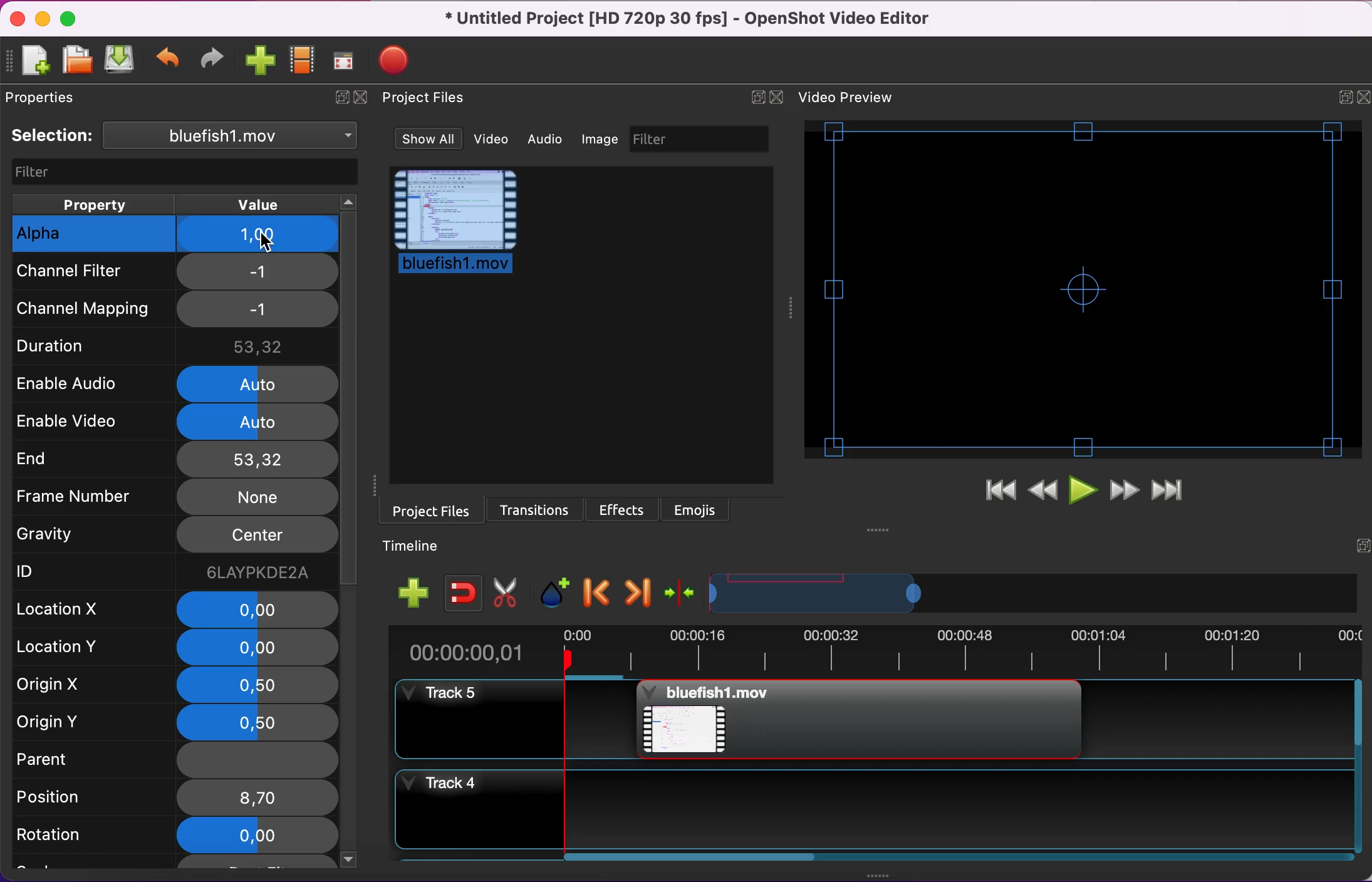 The height and width of the screenshot is (882, 1372). What do you see at coordinates (259, 310) in the screenshot?
I see `-1` at bounding box center [259, 310].